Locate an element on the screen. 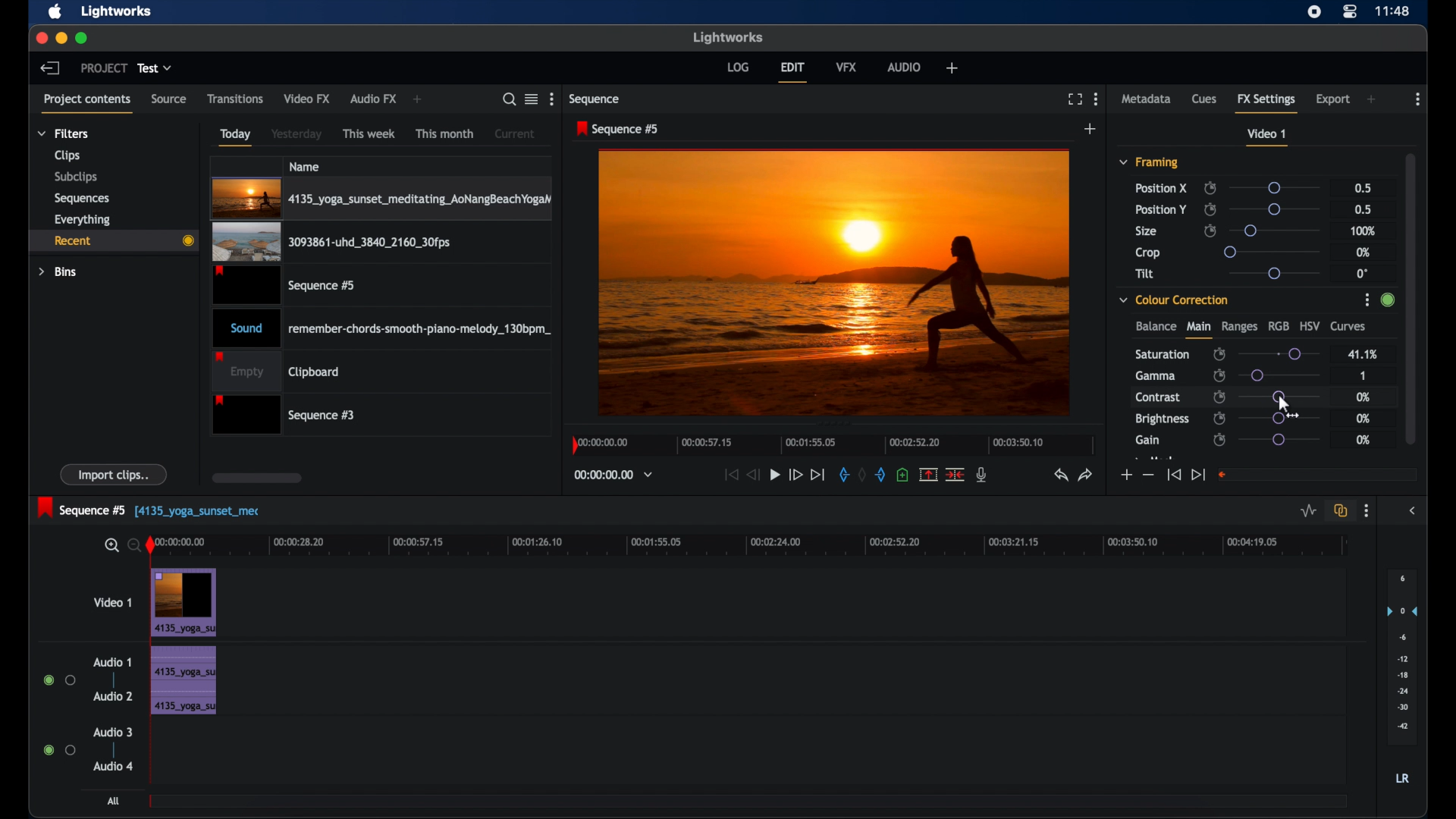 Image resolution: width=1456 pixels, height=819 pixels. mic is located at coordinates (983, 475).